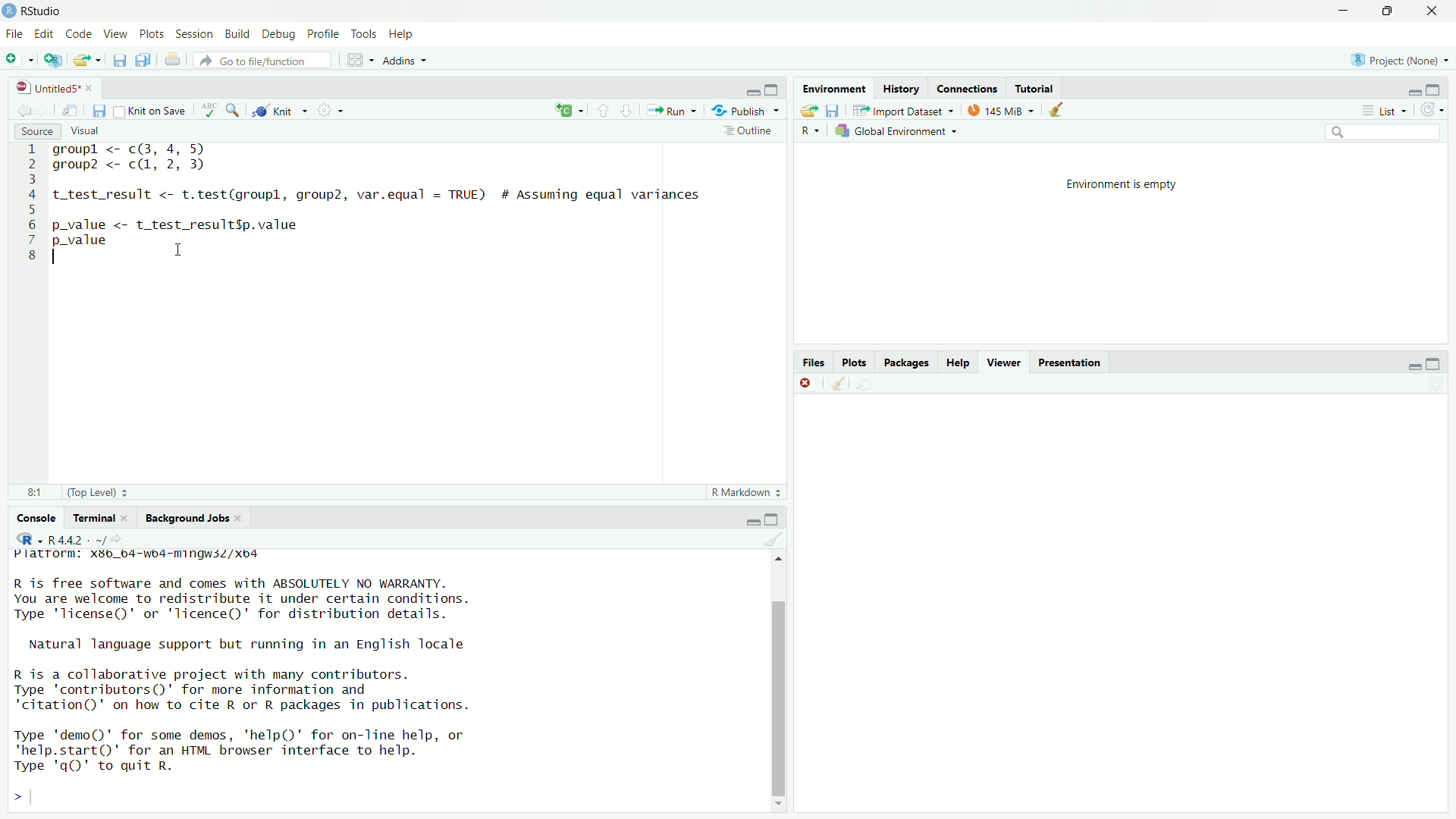  I want to click on Code, so click(79, 32).